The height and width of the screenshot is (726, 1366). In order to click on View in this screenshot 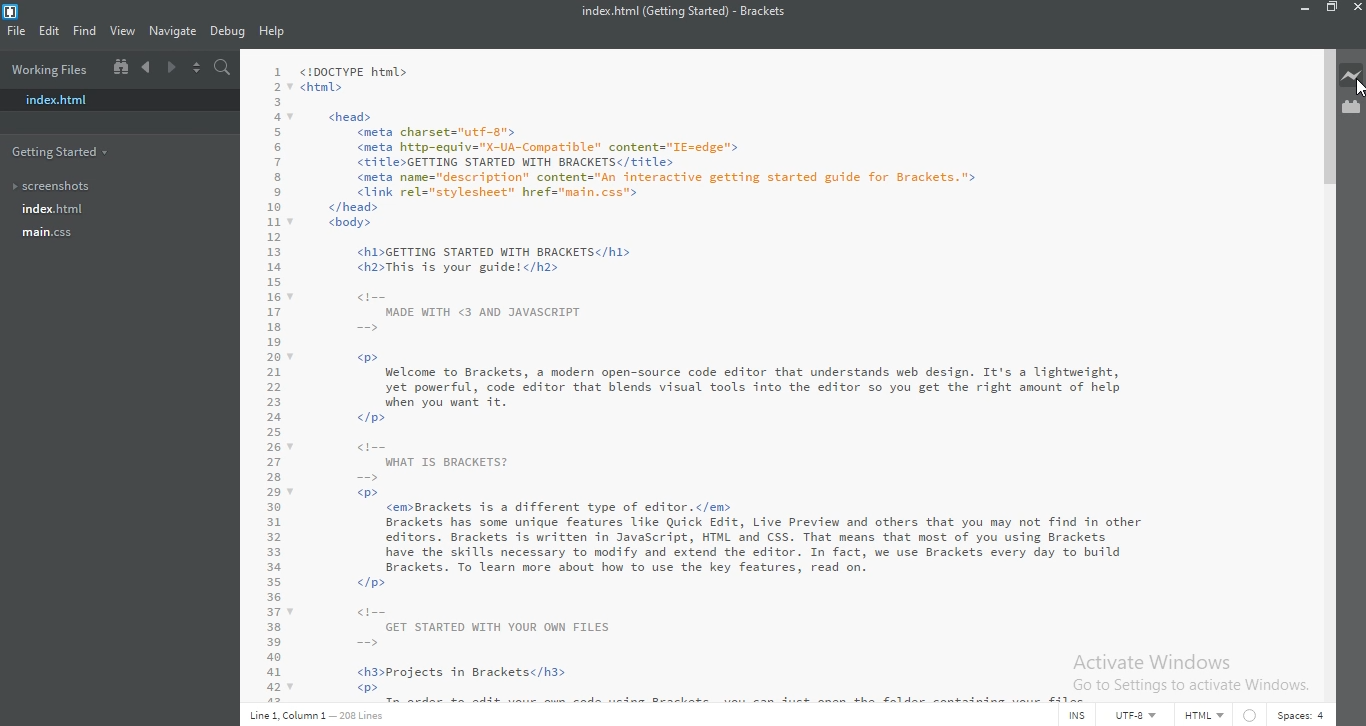, I will do `click(123, 32)`.